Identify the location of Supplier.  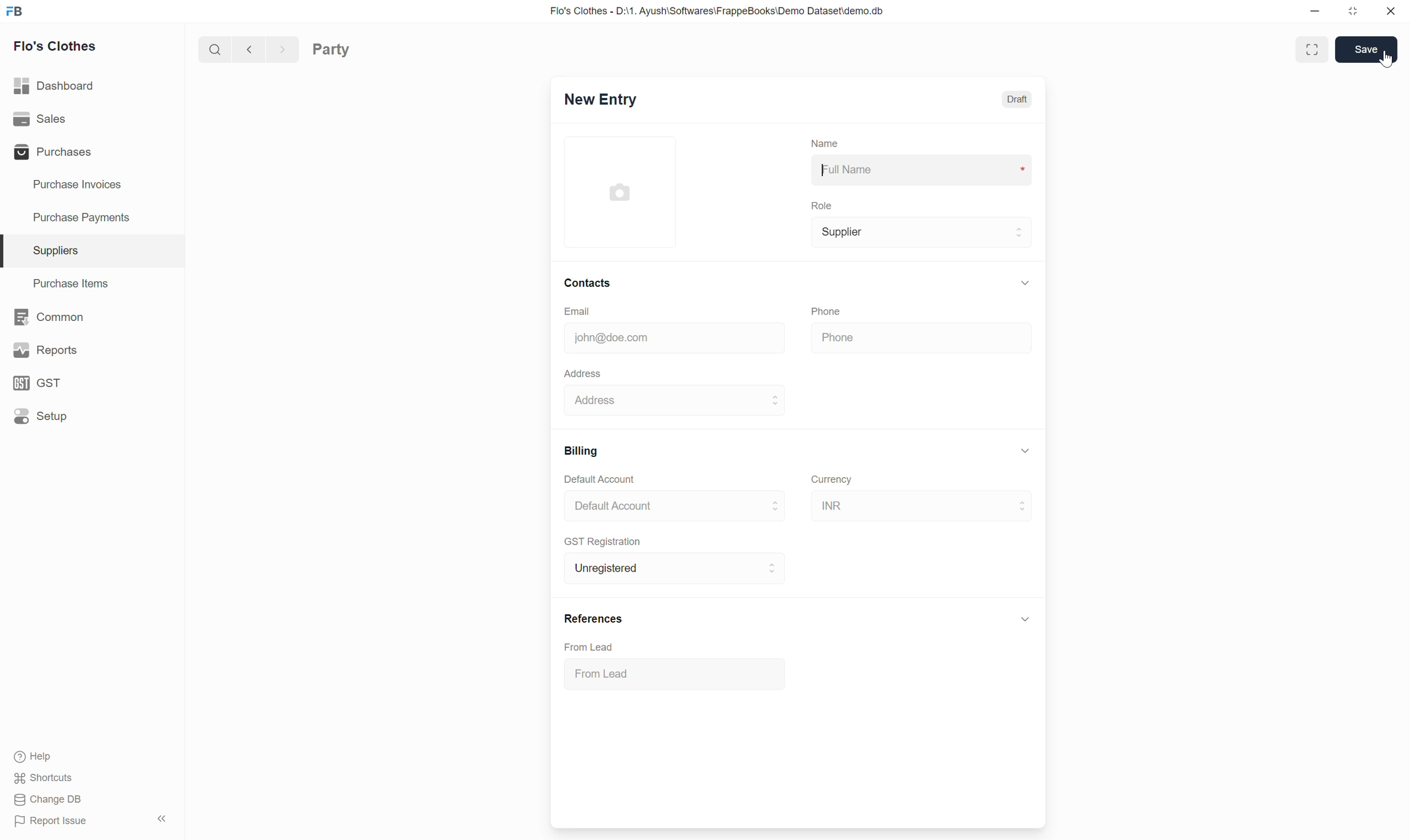
(921, 232).